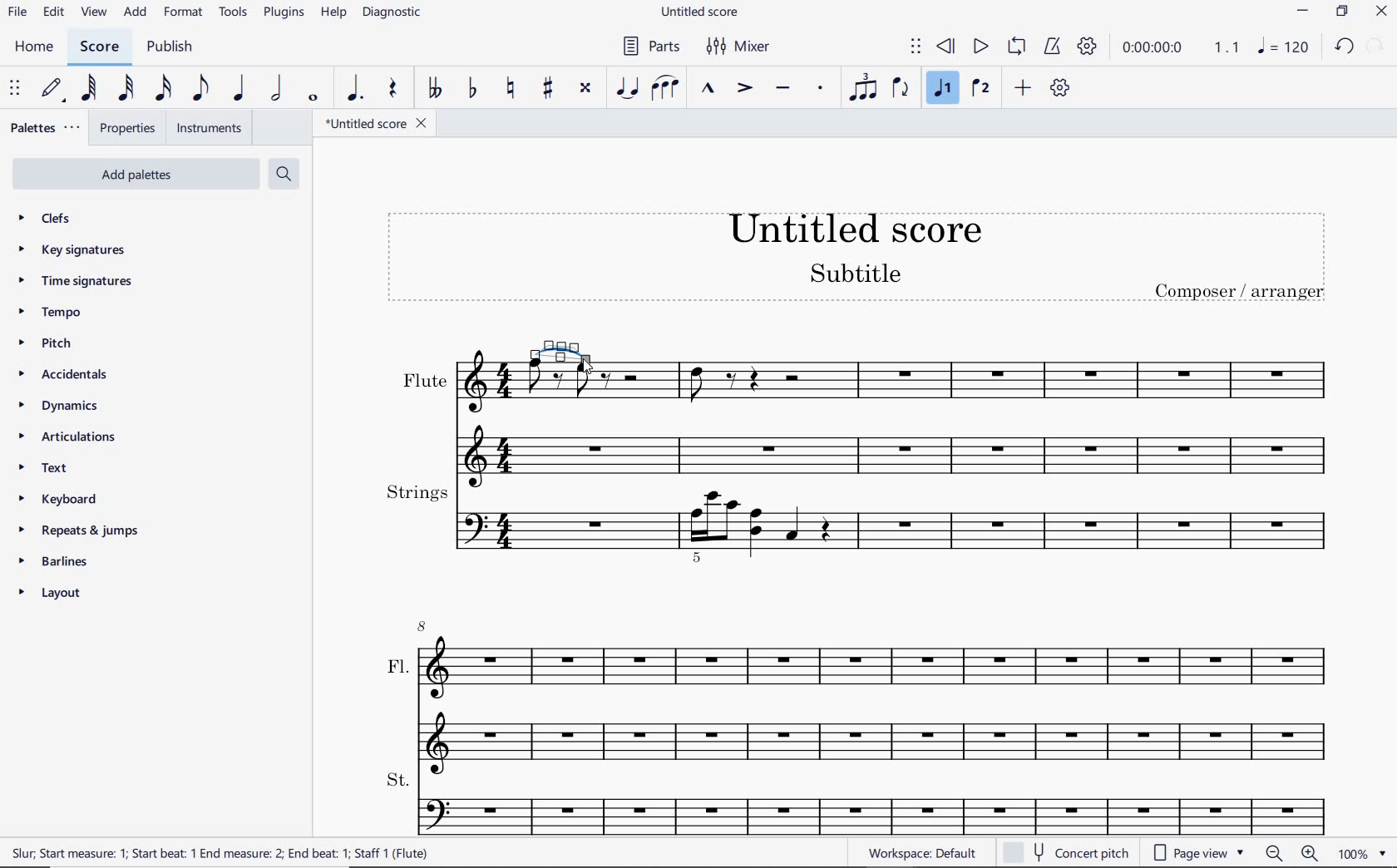 This screenshot has width=1397, height=868. I want to click on close, so click(1384, 11).